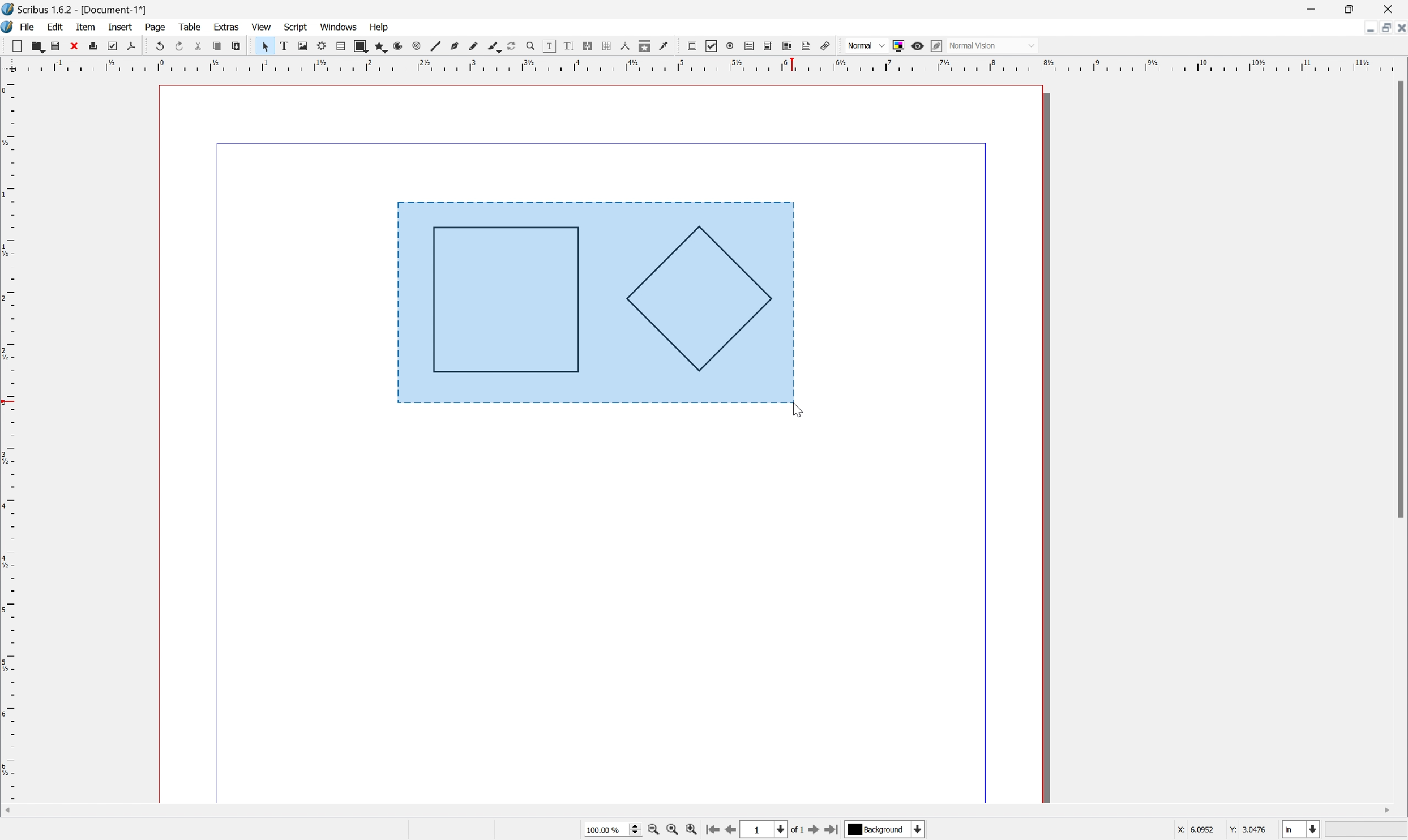 The image size is (1408, 840). I want to click on Cursor, so click(797, 407).